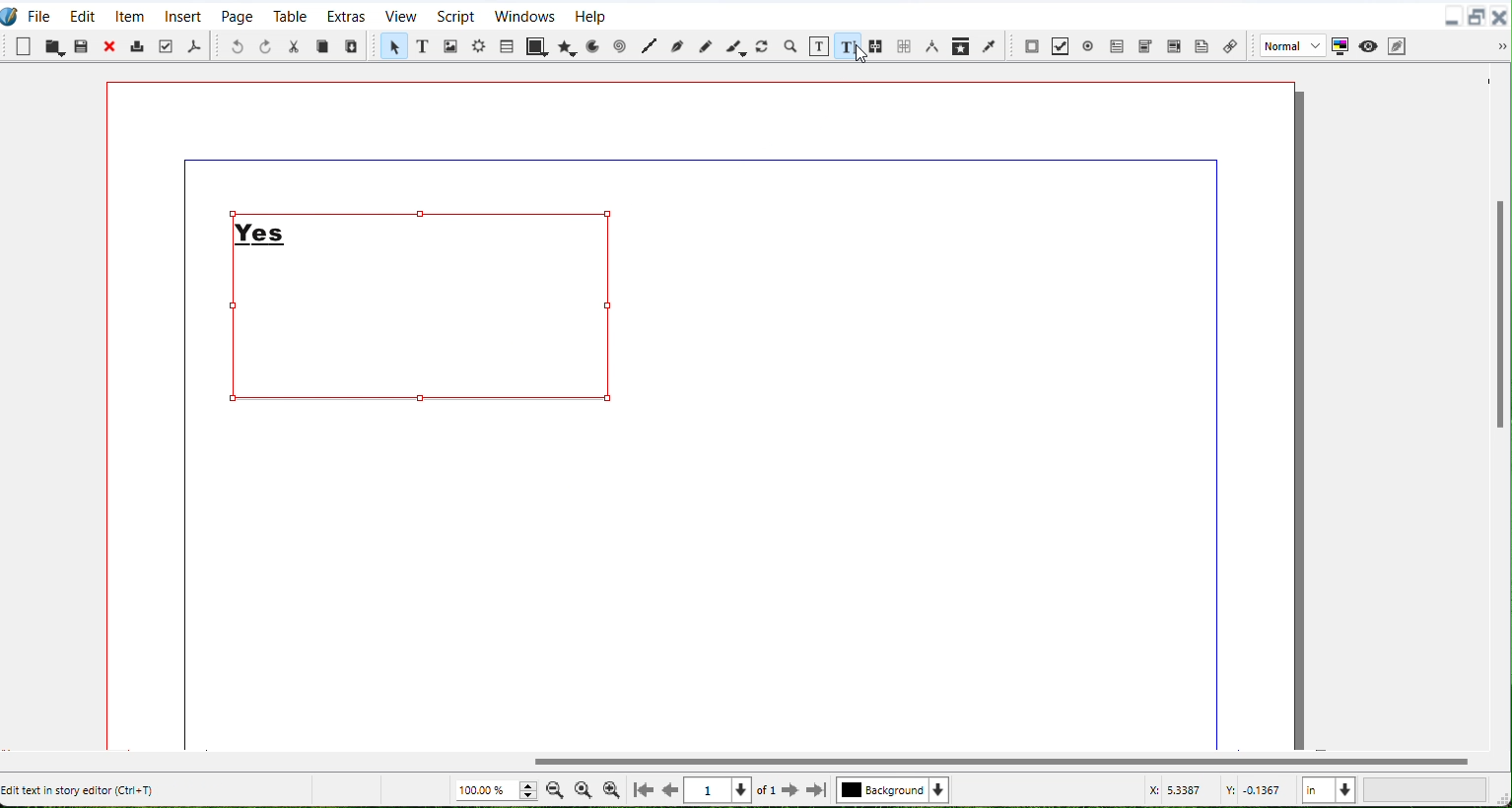 This screenshot has width=1512, height=808. I want to click on PDF push button, so click(1032, 44).